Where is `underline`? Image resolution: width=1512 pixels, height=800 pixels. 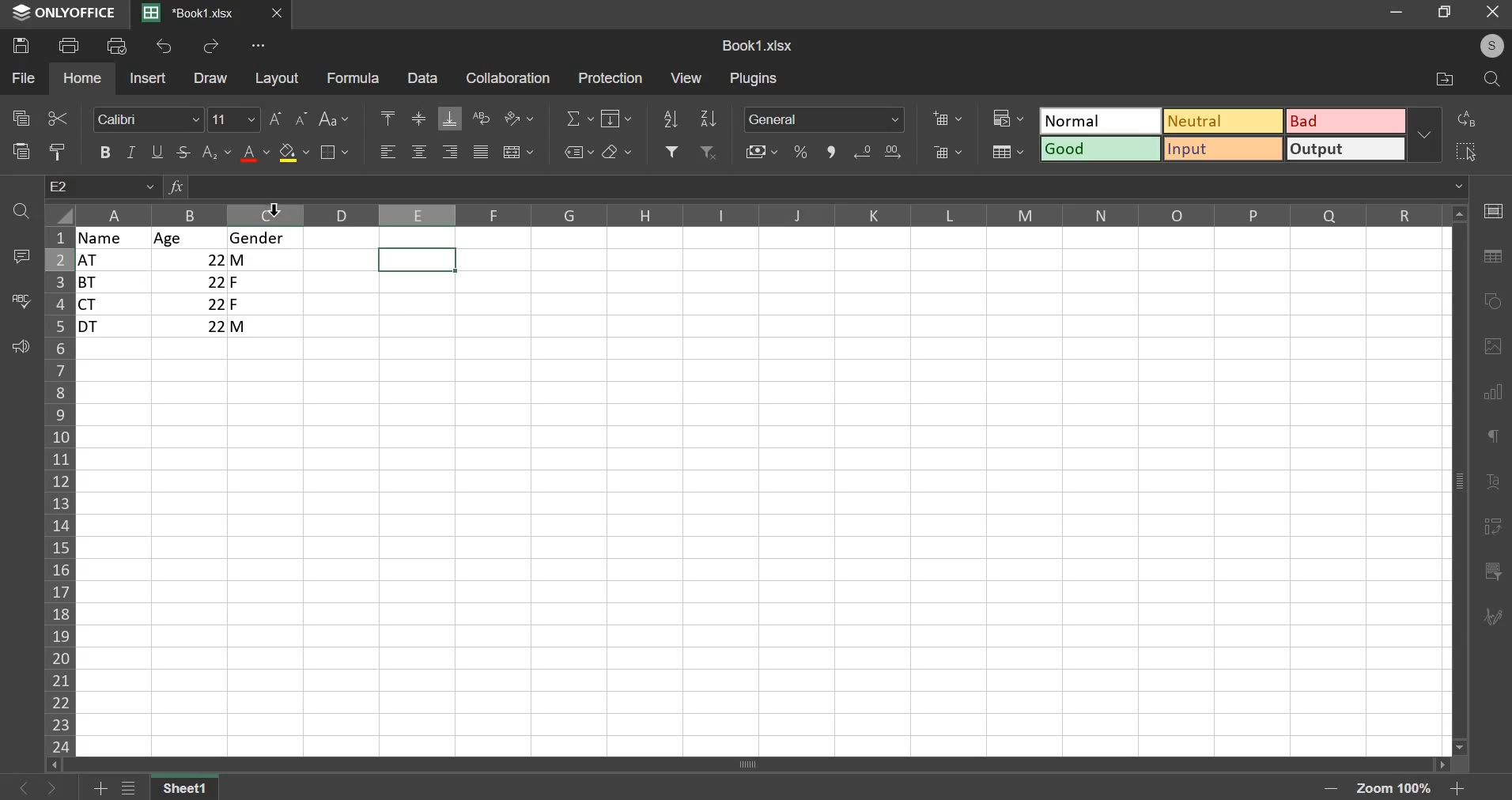
underline is located at coordinates (159, 151).